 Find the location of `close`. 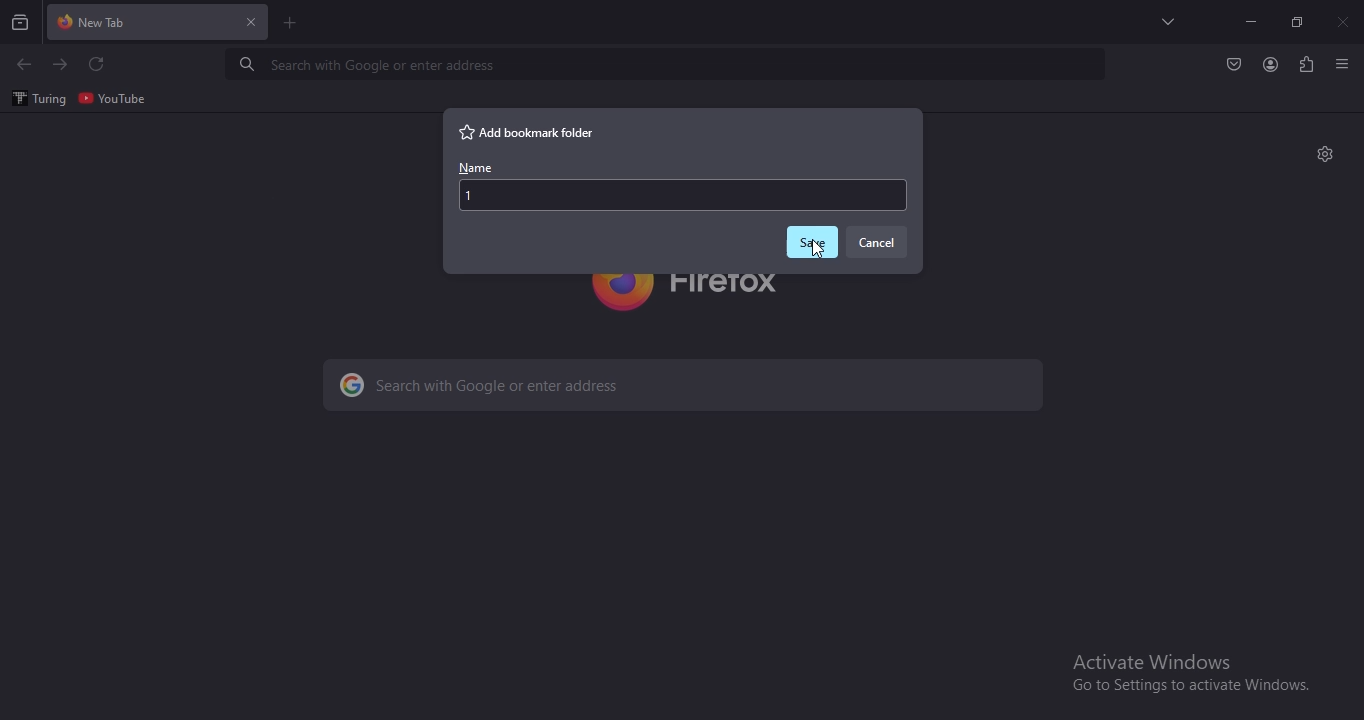

close is located at coordinates (1345, 21).